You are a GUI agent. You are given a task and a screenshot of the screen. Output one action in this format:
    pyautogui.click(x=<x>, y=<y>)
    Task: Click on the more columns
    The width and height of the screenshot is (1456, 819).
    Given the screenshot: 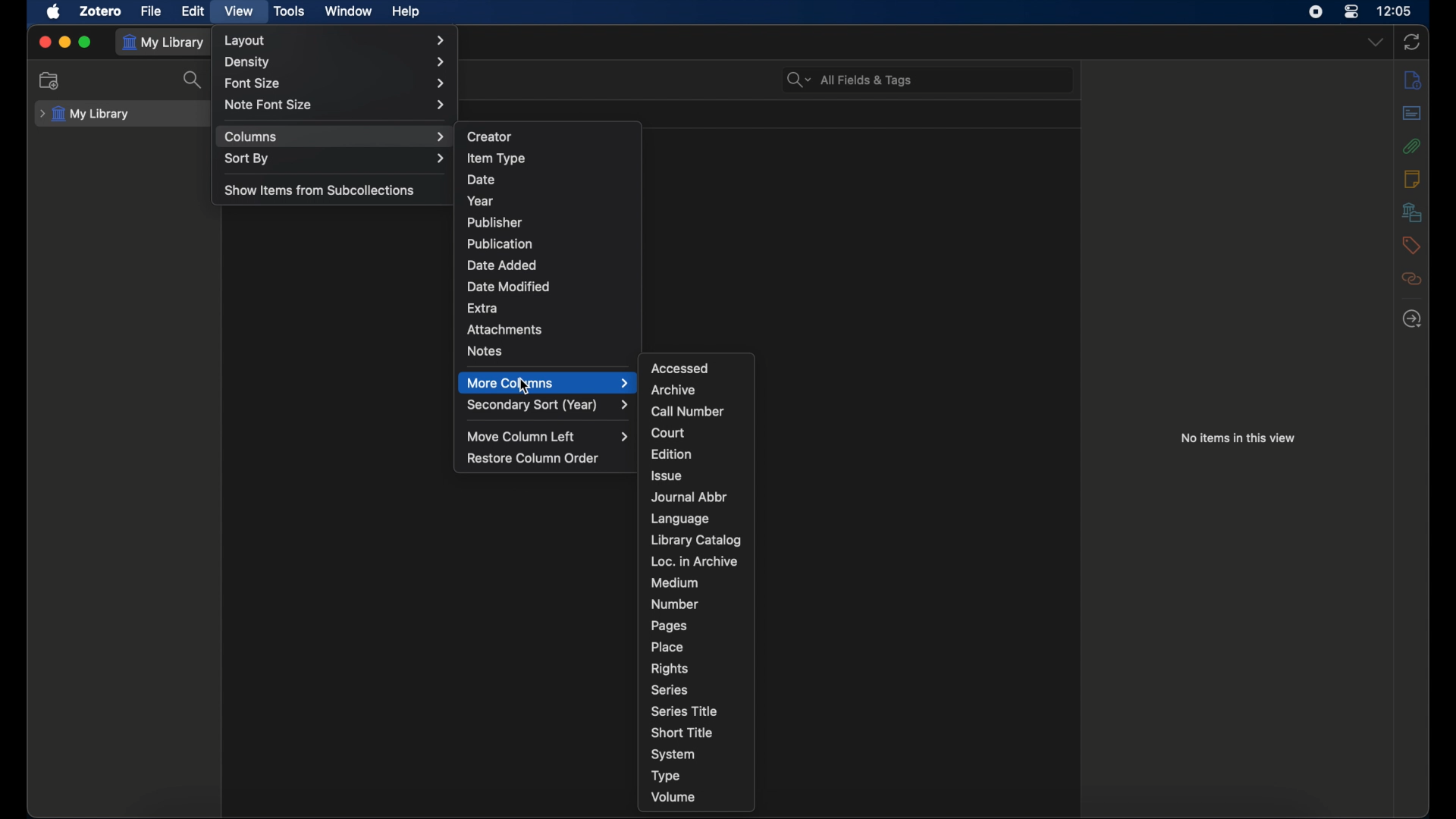 What is the action you would take?
    pyautogui.click(x=547, y=383)
    